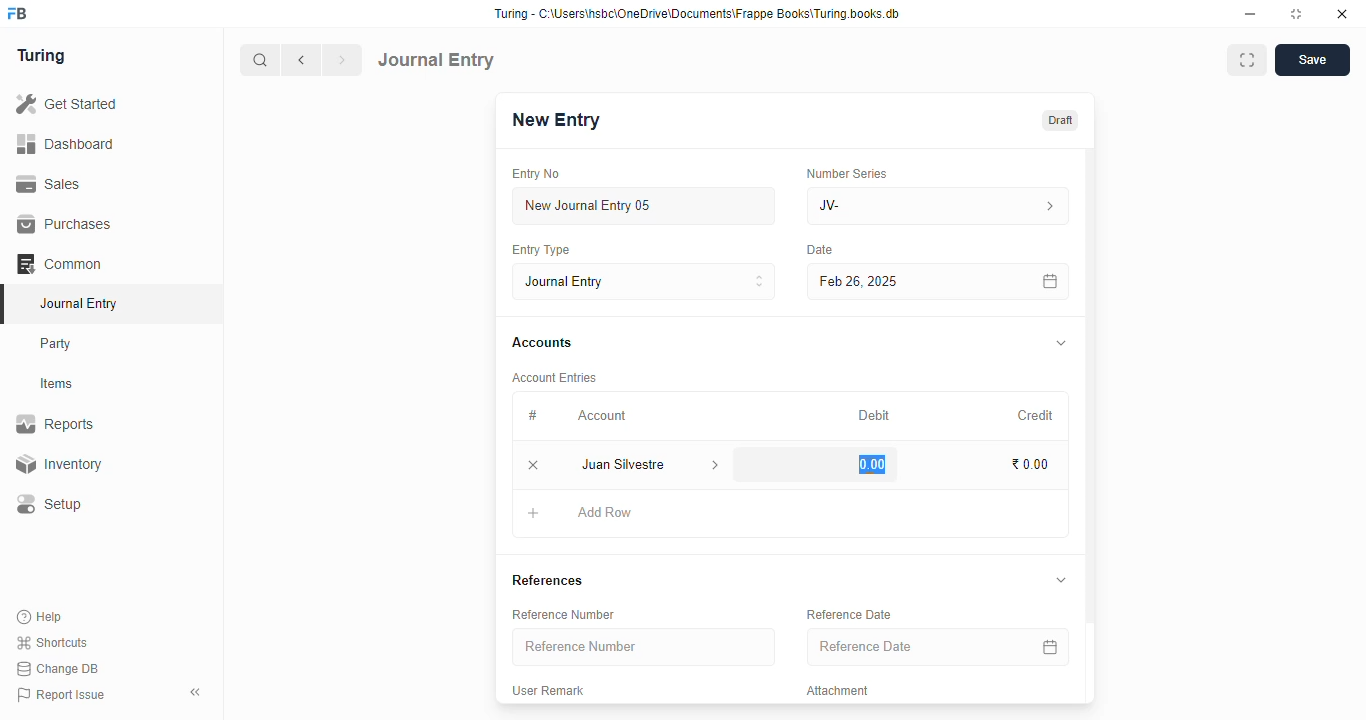  I want to click on account information, so click(716, 465).